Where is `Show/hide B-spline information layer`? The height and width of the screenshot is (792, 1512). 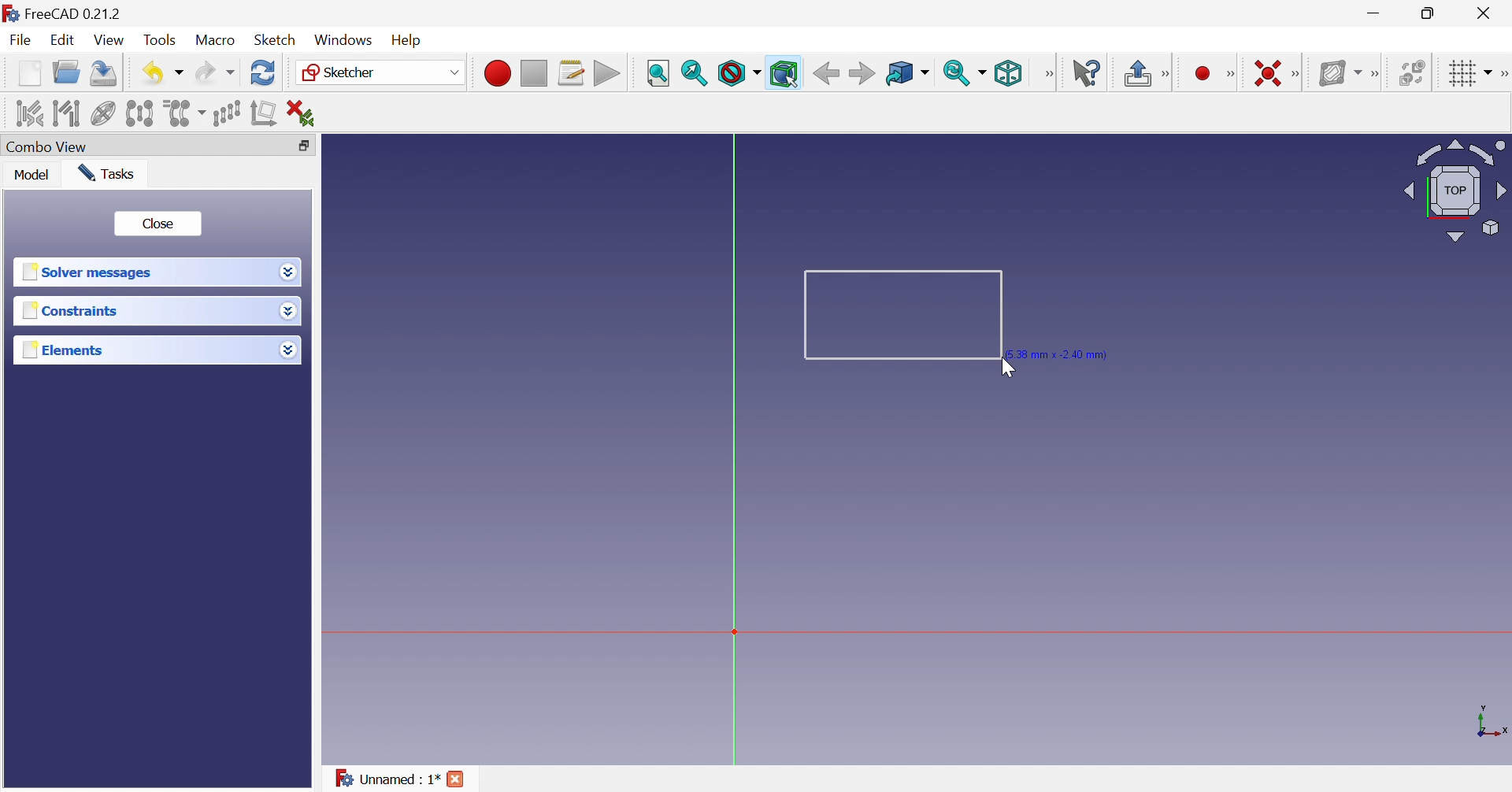 Show/hide B-spline information layer is located at coordinates (1339, 73).